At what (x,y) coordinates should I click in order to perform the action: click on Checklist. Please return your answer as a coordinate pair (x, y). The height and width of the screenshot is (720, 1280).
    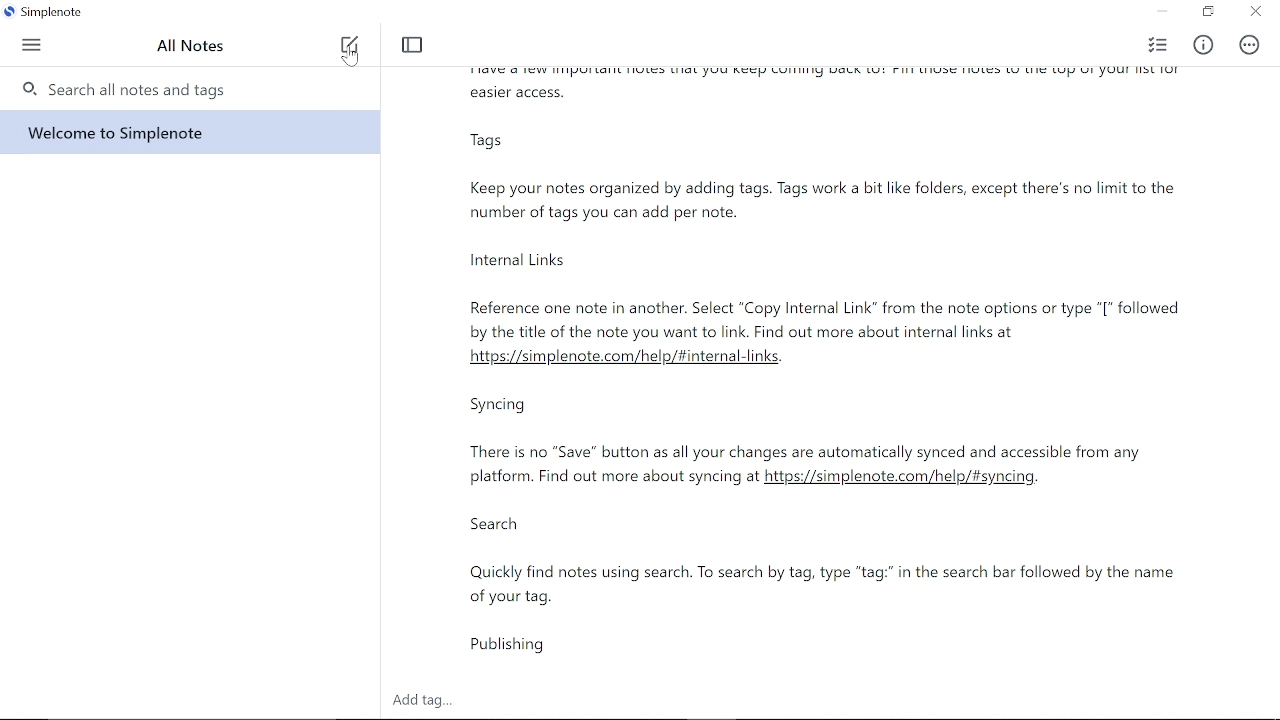
    Looking at the image, I should click on (1158, 45).